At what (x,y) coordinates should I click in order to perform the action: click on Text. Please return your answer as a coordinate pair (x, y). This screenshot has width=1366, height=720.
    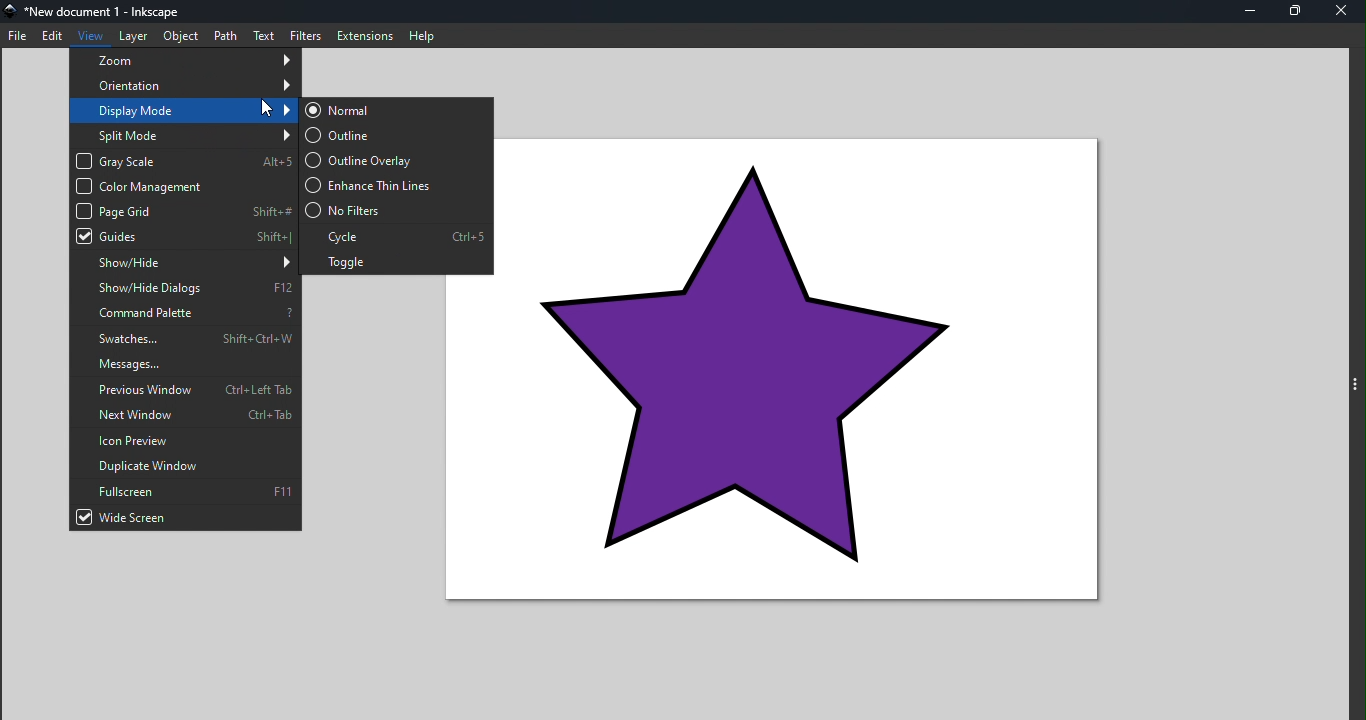
    Looking at the image, I should click on (263, 36).